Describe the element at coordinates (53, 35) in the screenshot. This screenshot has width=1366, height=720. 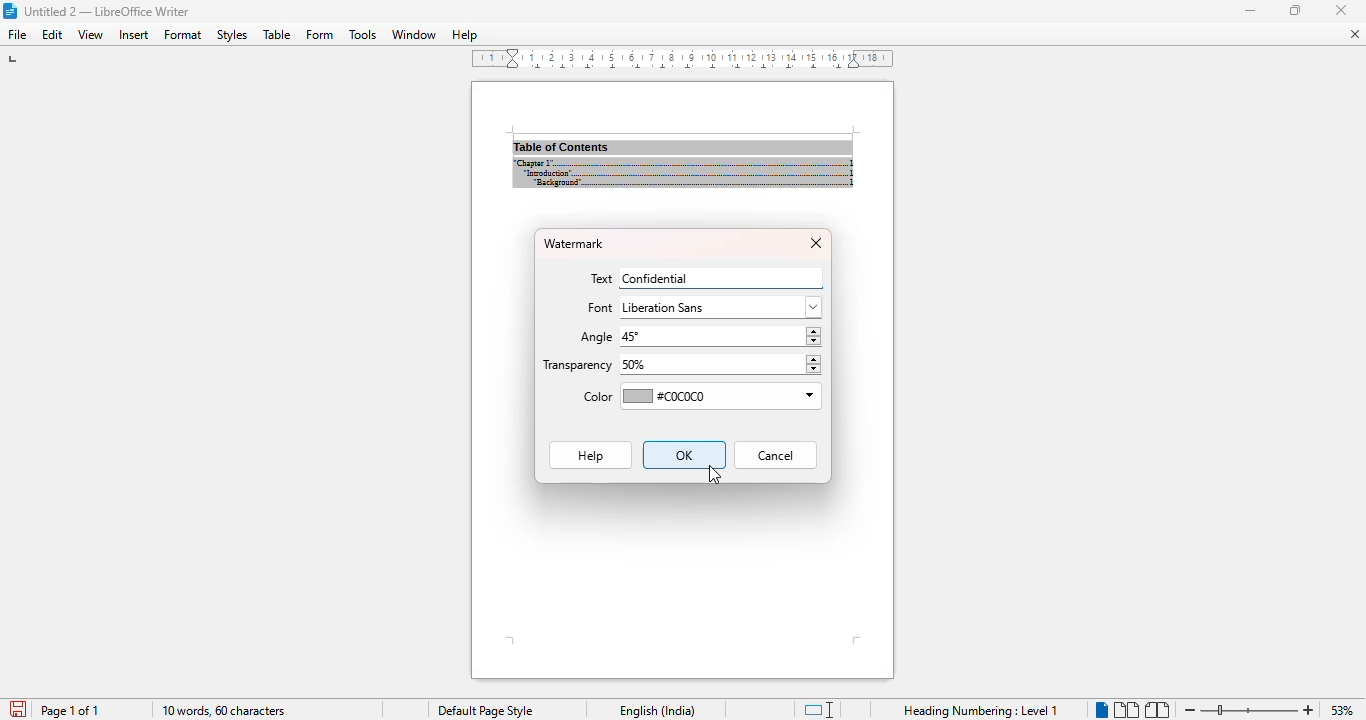
I see `edit` at that location.